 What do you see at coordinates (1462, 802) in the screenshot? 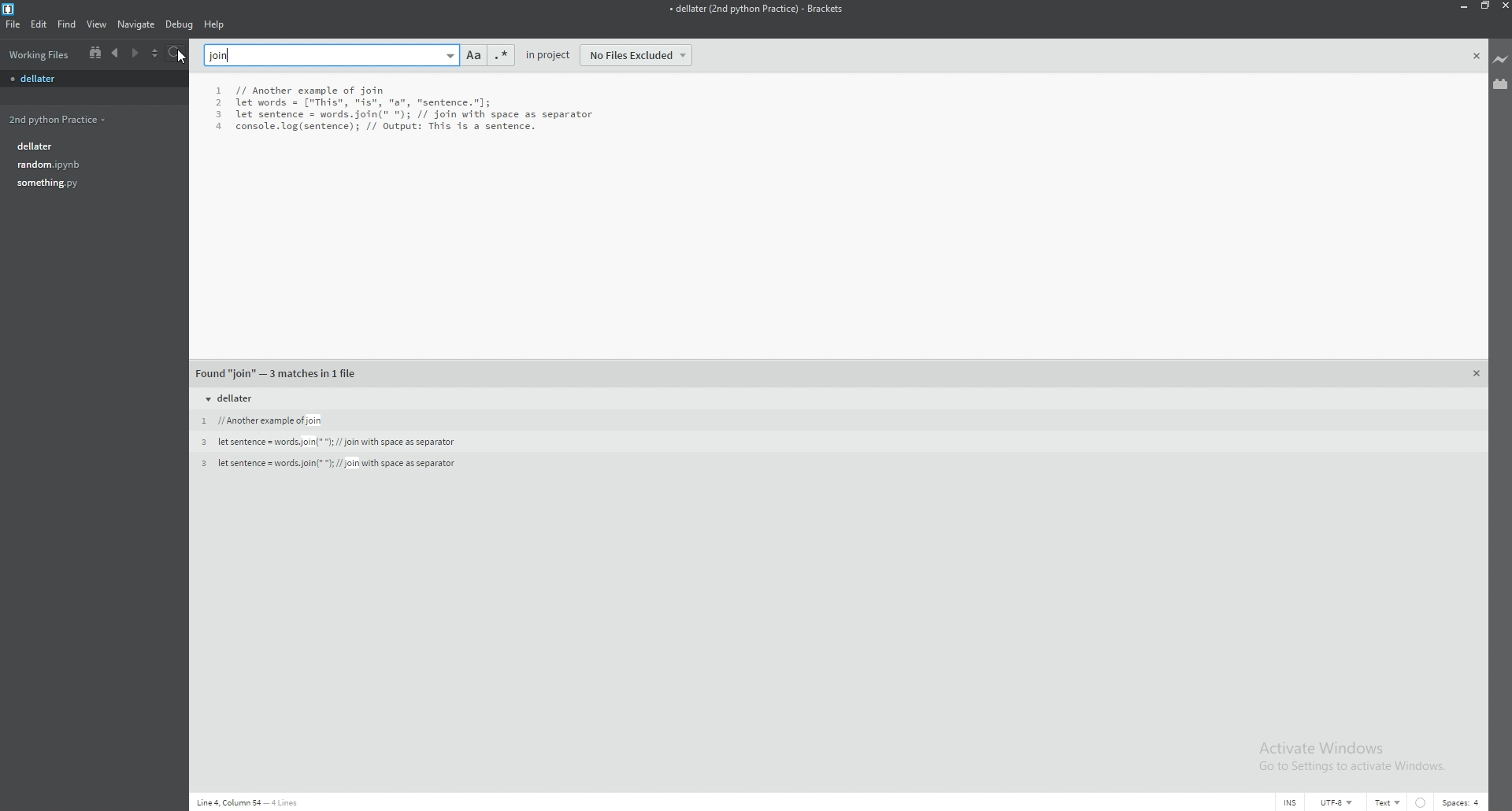
I see `spaces` at bounding box center [1462, 802].